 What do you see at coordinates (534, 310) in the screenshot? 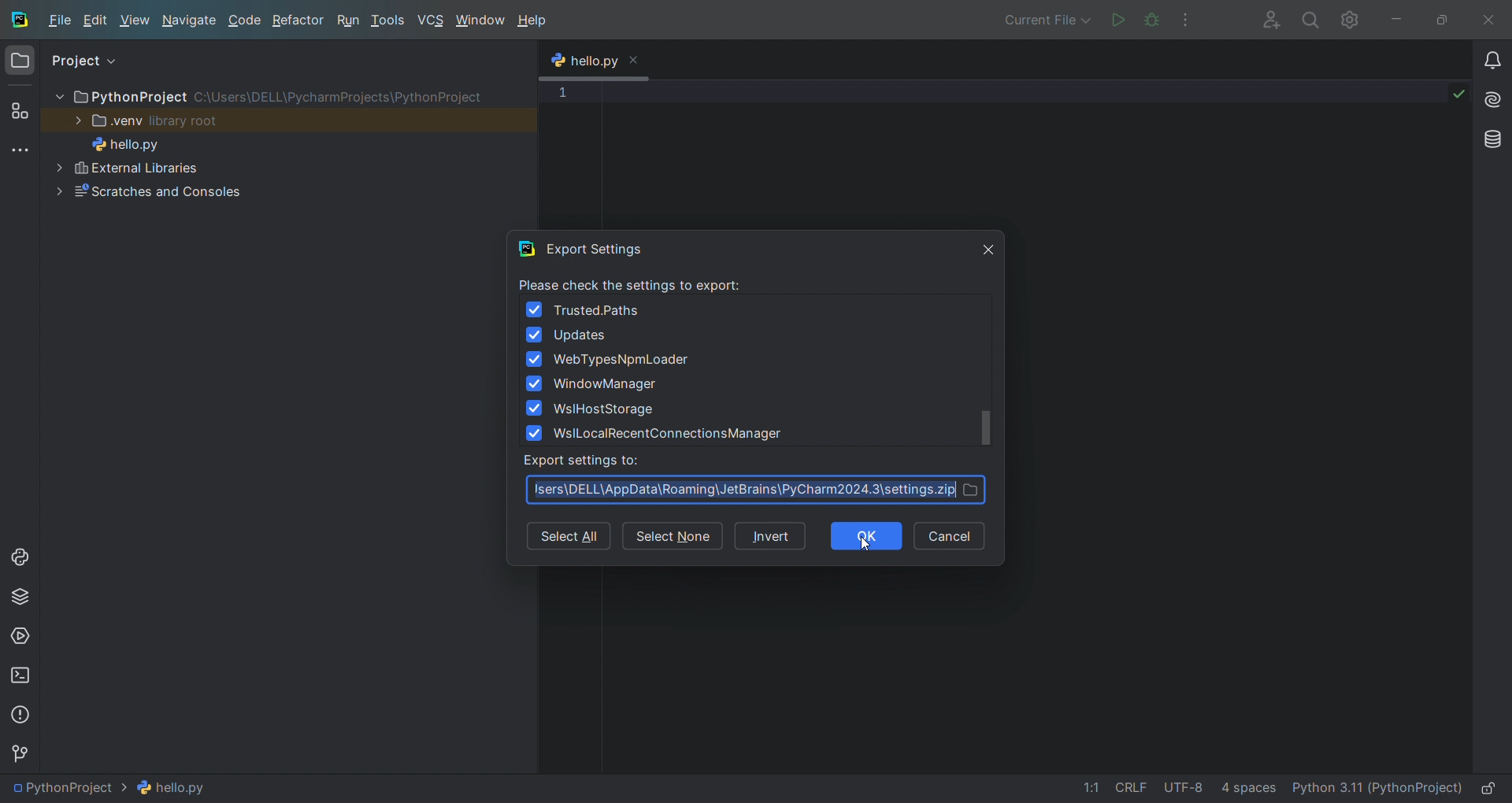
I see `Checked box` at bounding box center [534, 310].